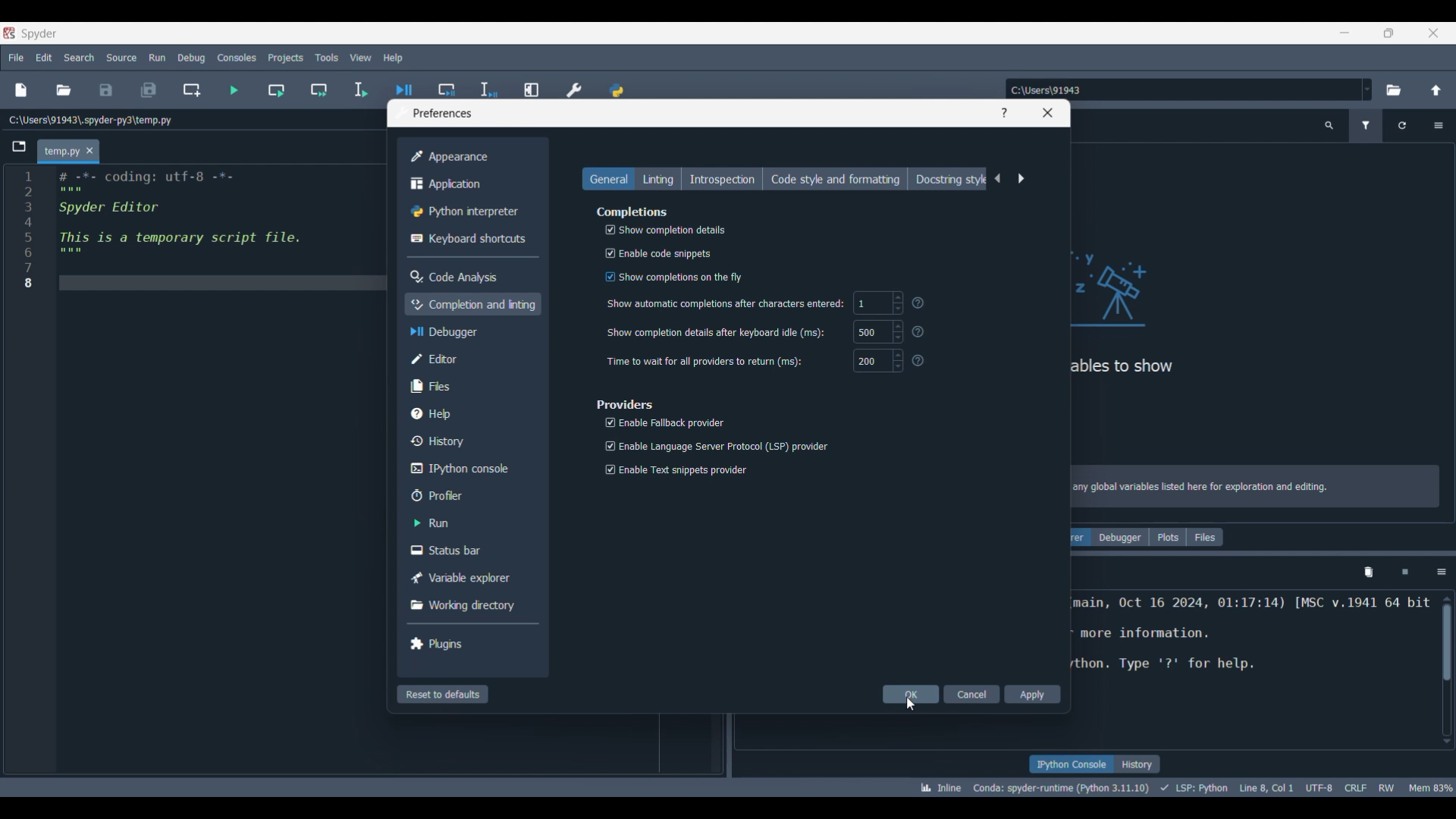 This screenshot has height=819, width=1456. What do you see at coordinates (469, 643) in the screenshot?
I see `Plugins` at bounding box center [469, 643].